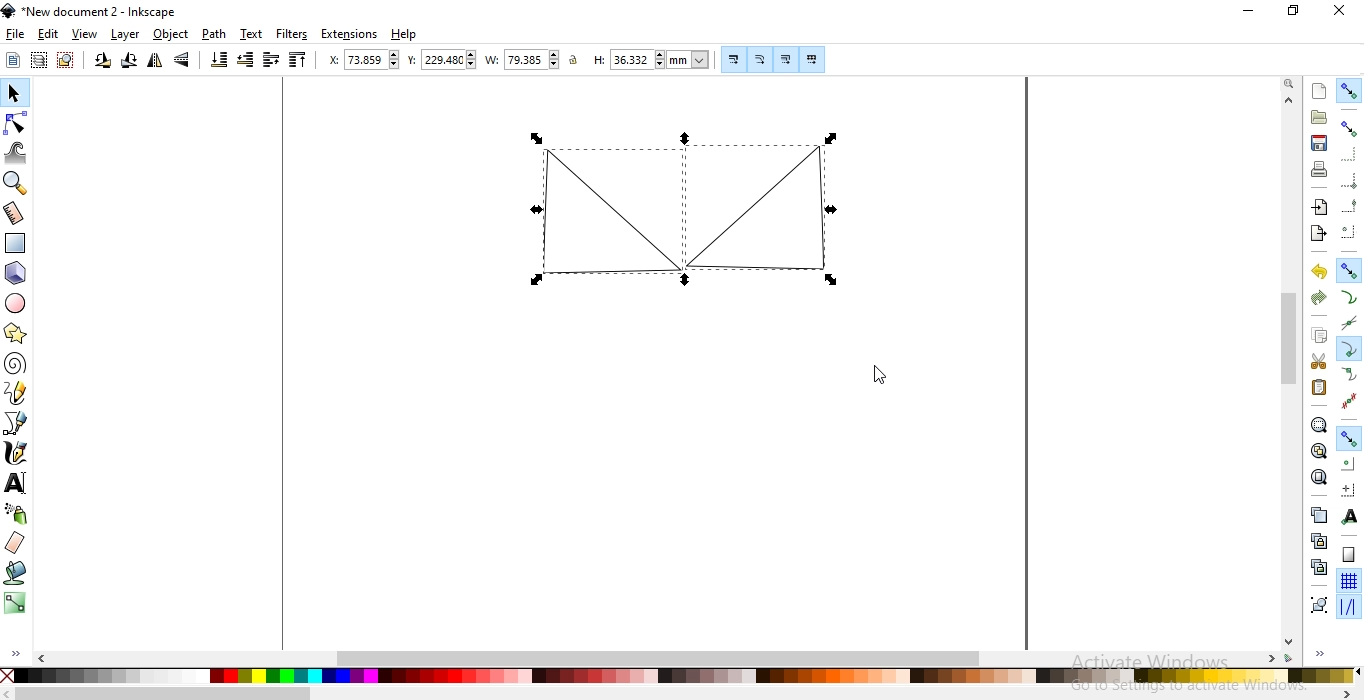 The image size is (1364, 700). What do you see at coordinates (1349, 204) in the screenshot?
I see `snapping midpoints of bounding box edges` at bounding box center [1349, 204].